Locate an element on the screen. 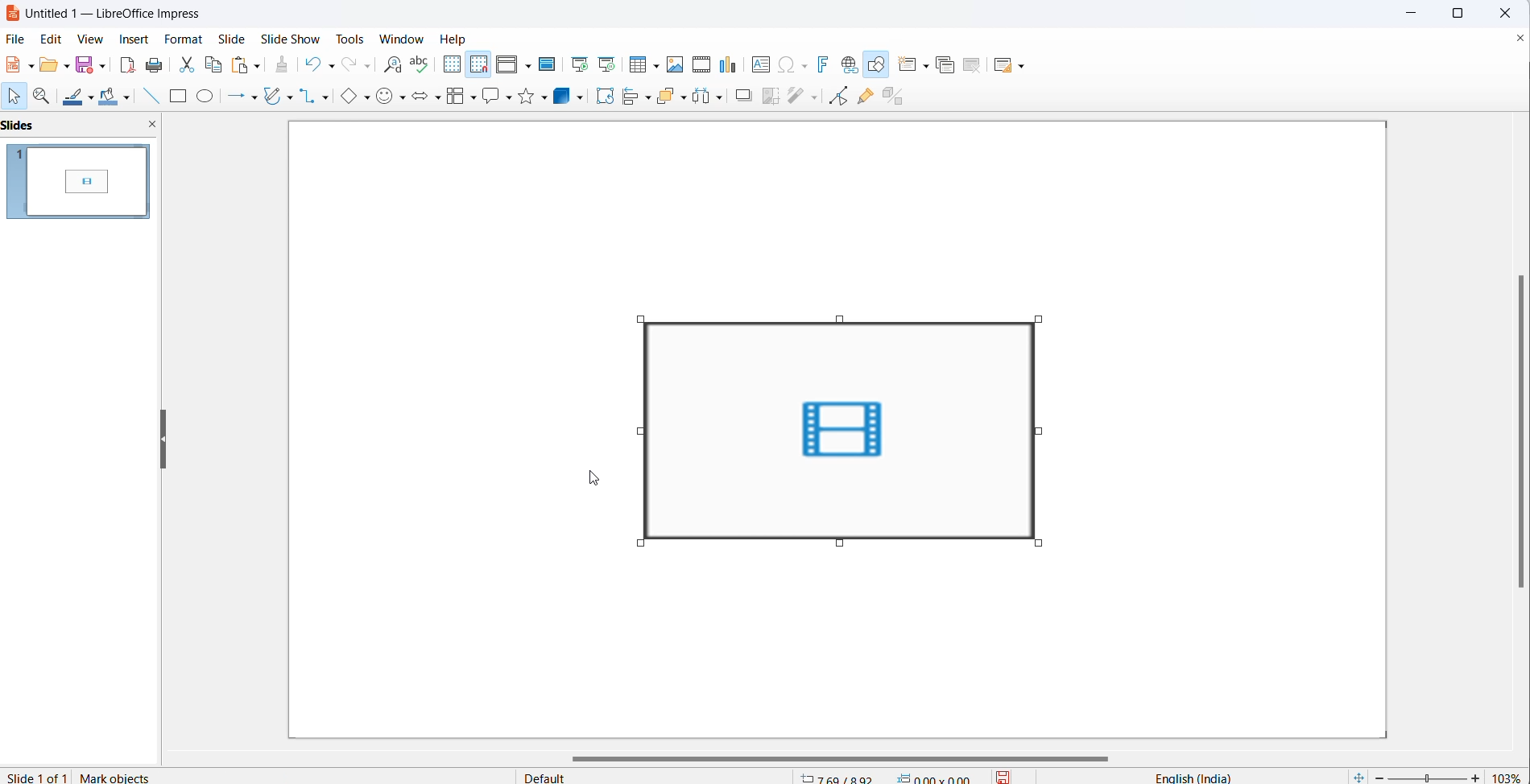  save is located at coordinates (1002, 775).